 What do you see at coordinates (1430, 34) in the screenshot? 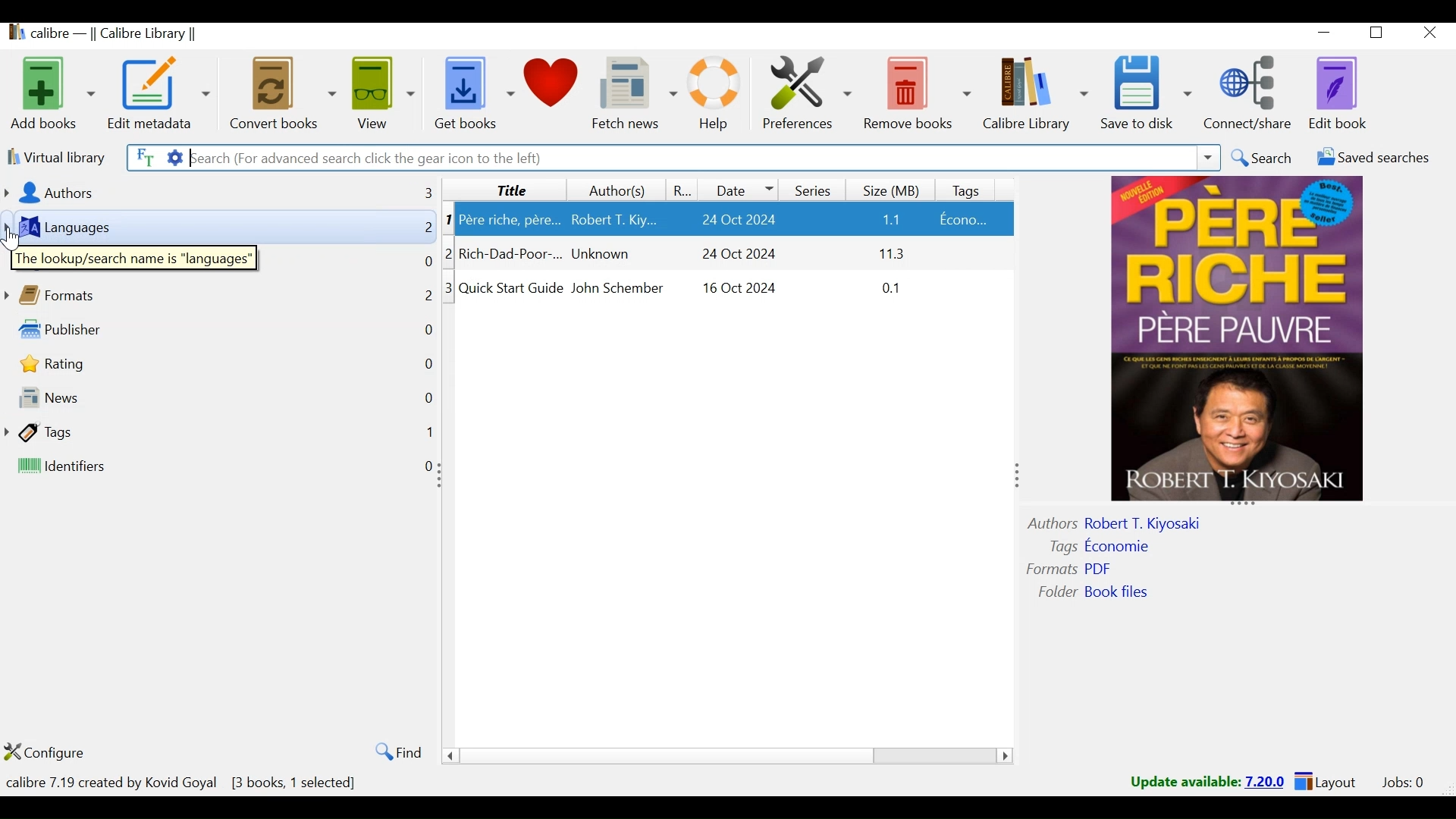
I see `Close` at bounding box center [1430, 34].